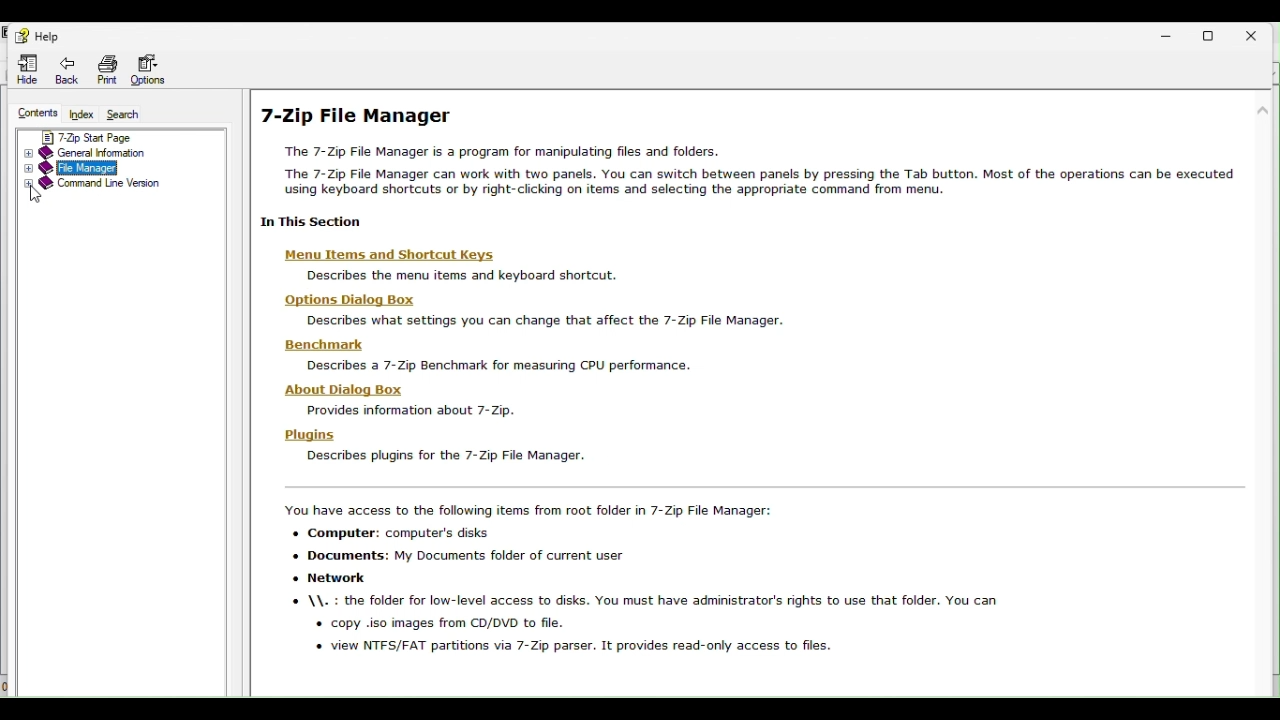 Image resolution: width=1280 pixels, height=720 pixels. I want to click on Describes a 7-Zip Benchmark for measuring CPU performance., so click(499, 366).